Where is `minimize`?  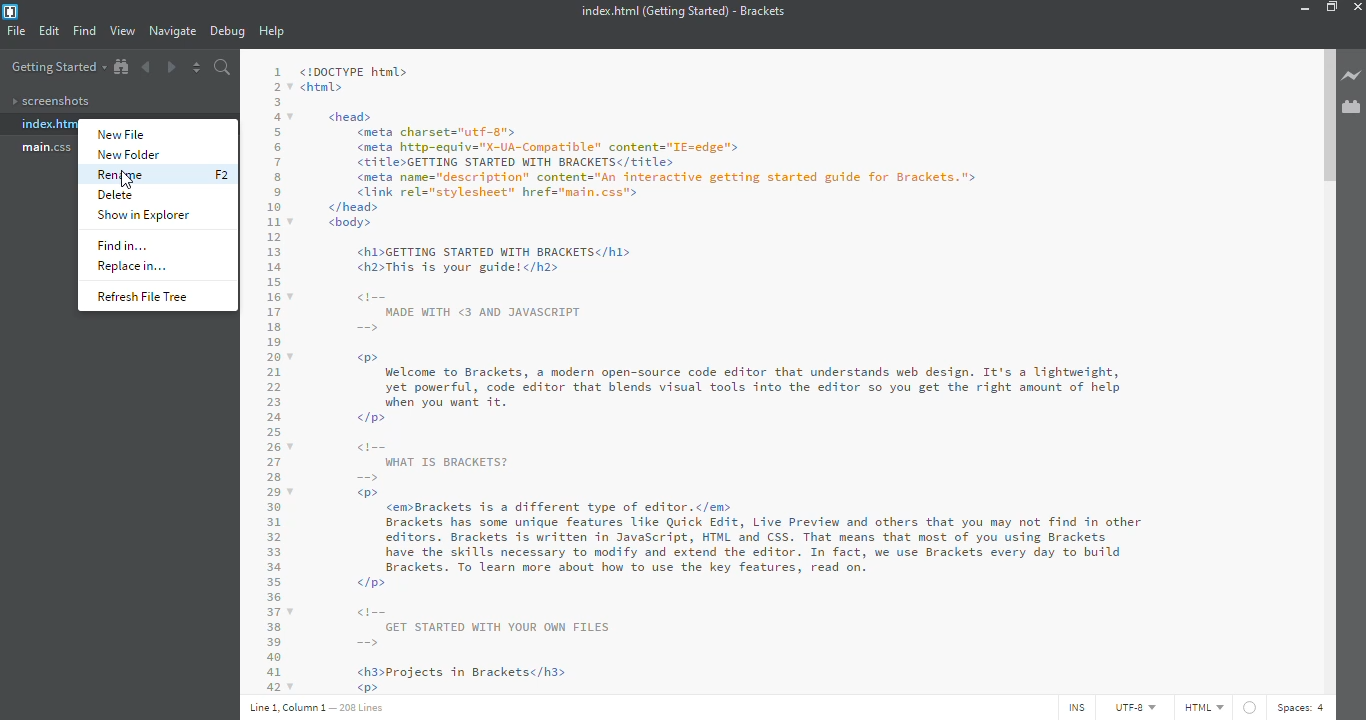
minimize is located at coordinates (1302, 8).